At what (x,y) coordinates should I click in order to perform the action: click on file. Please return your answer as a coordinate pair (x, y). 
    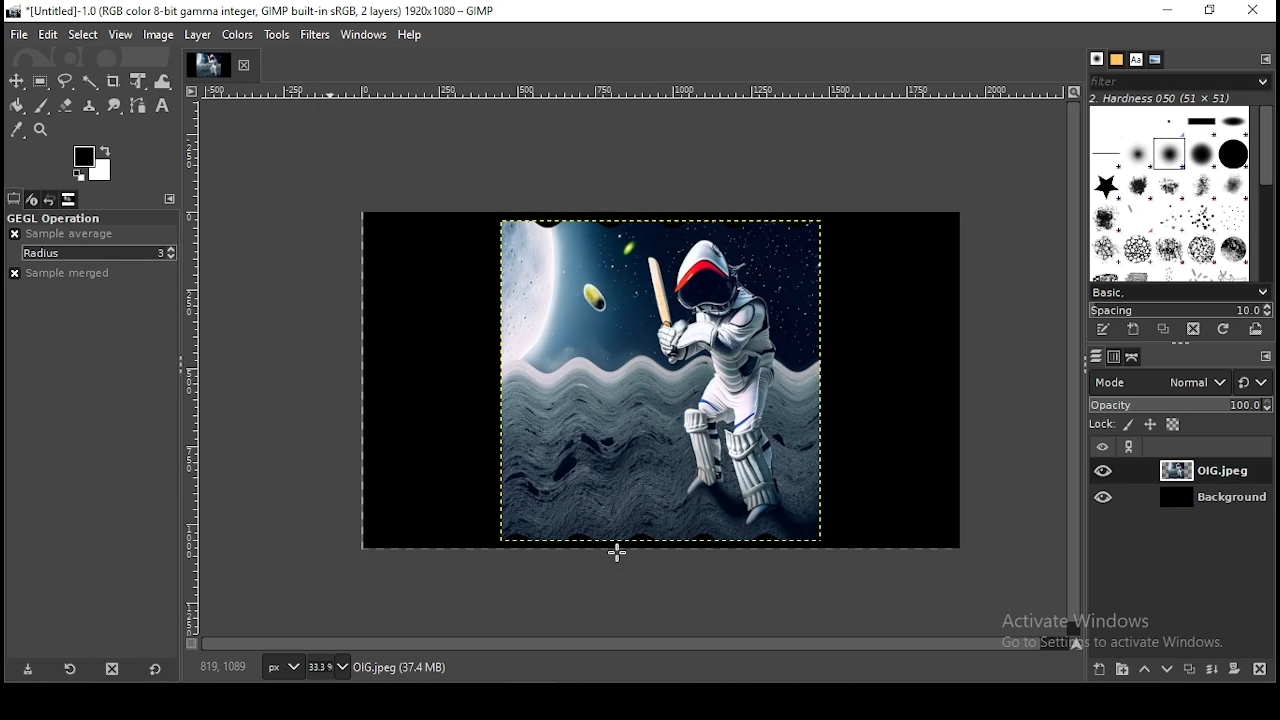
    Looking at the image, I should click on (21, 35).